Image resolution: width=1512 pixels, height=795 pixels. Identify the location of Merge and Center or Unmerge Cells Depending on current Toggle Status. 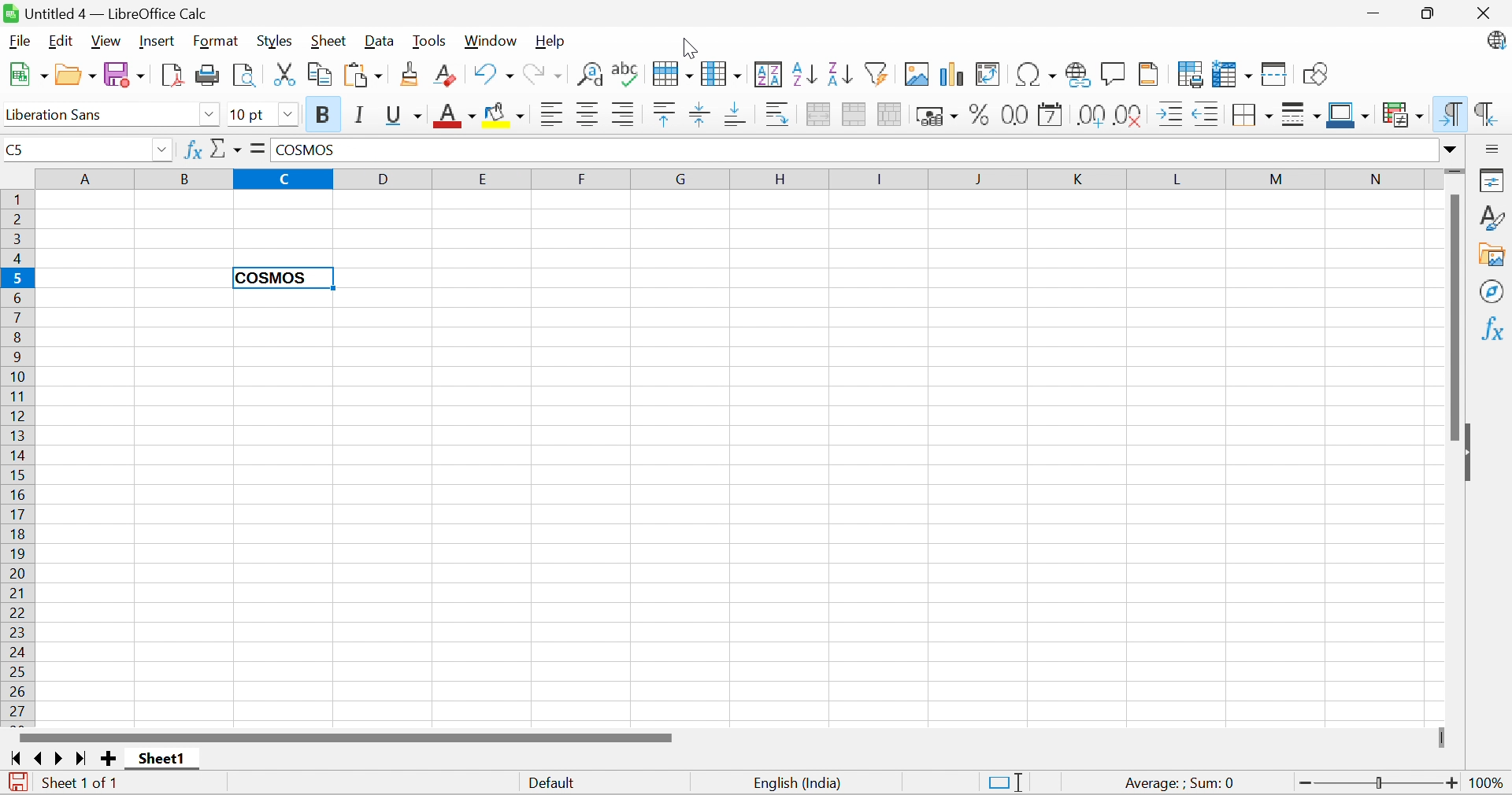
(818, 115).